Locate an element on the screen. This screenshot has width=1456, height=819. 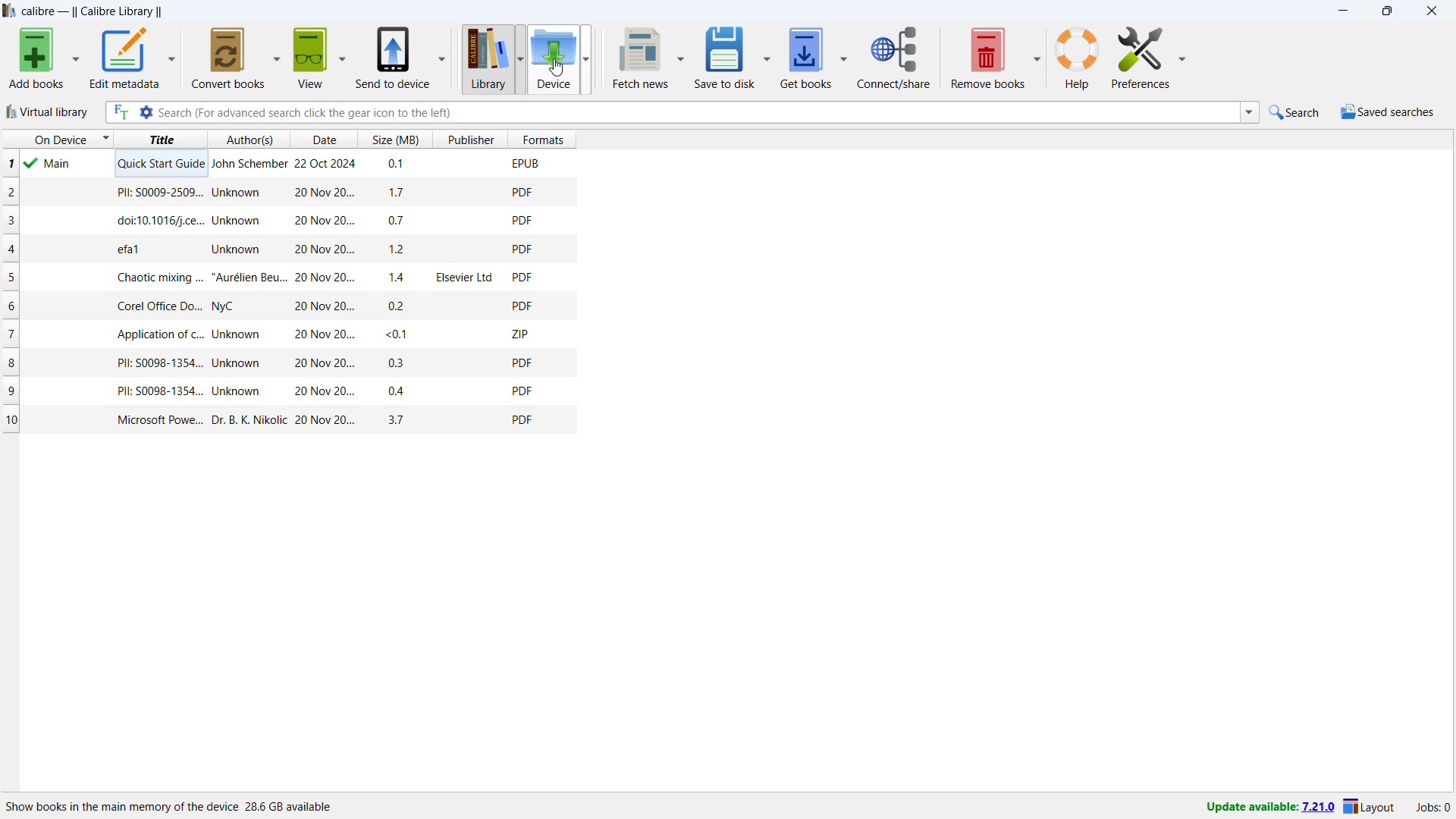
one book entry is located at coordinates (288, 334).